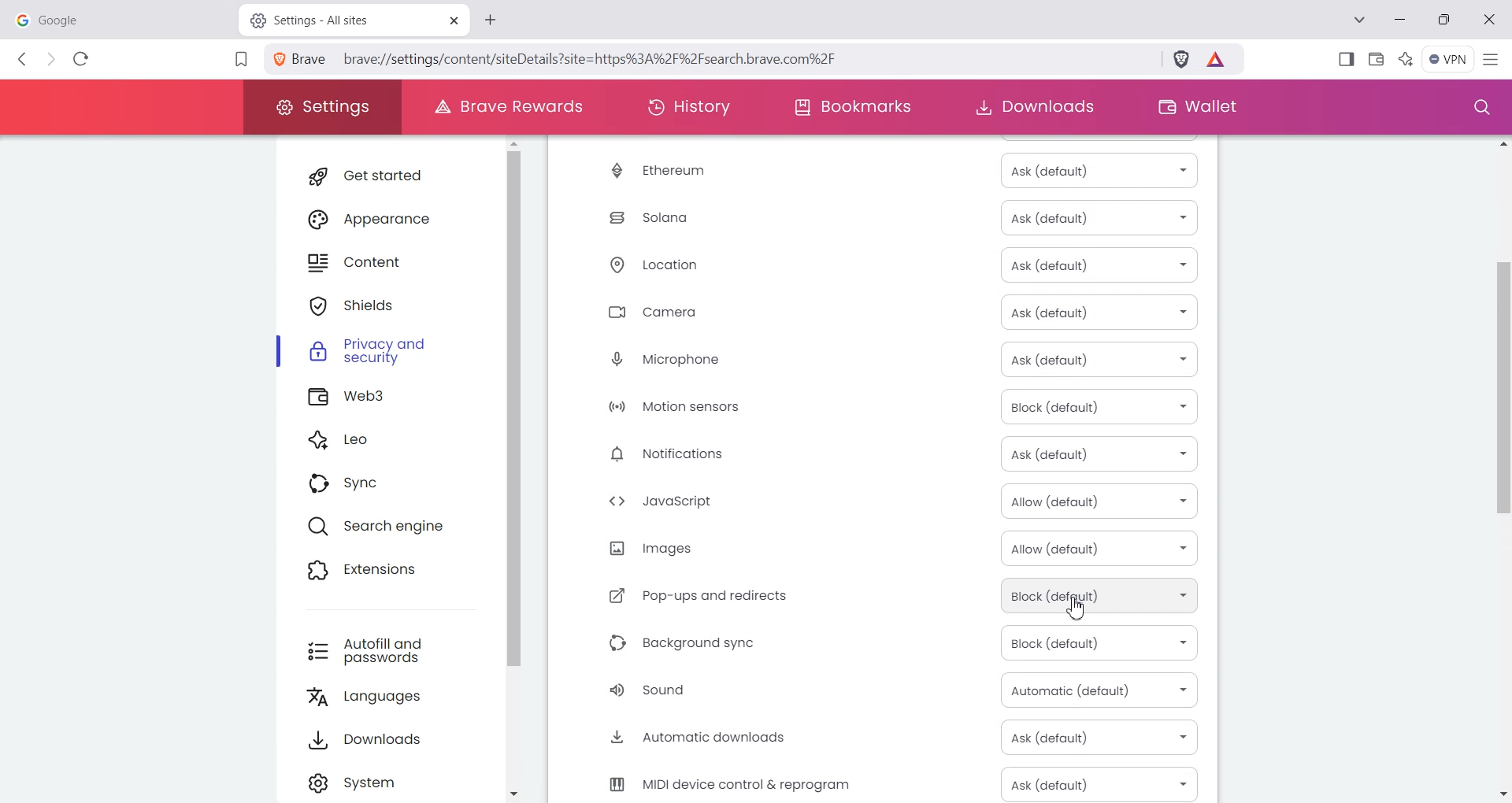 The image size is (1512, 803). Describe the element at coordinates (1448, 59) in the screenshot. I see `` at that location.